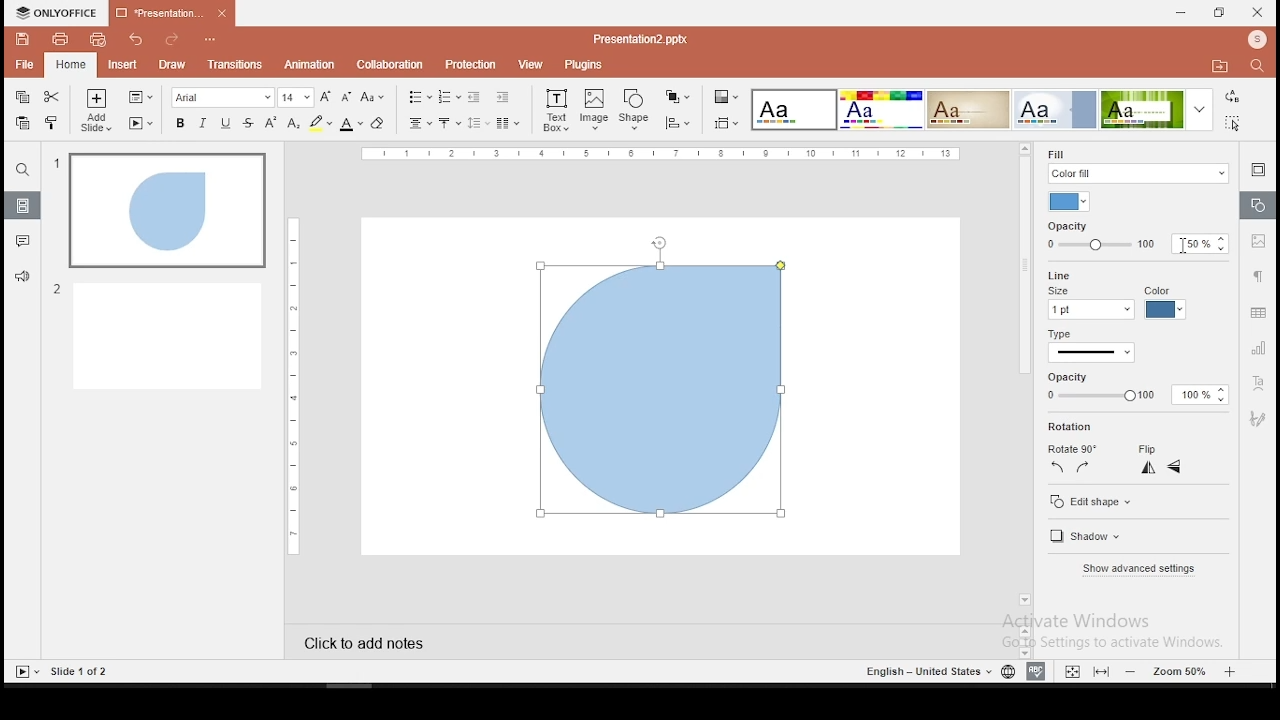 The image size is (1280, 720). Describe the element at coordinates (350, 125) in the screenshot. I see `font color` at that location.